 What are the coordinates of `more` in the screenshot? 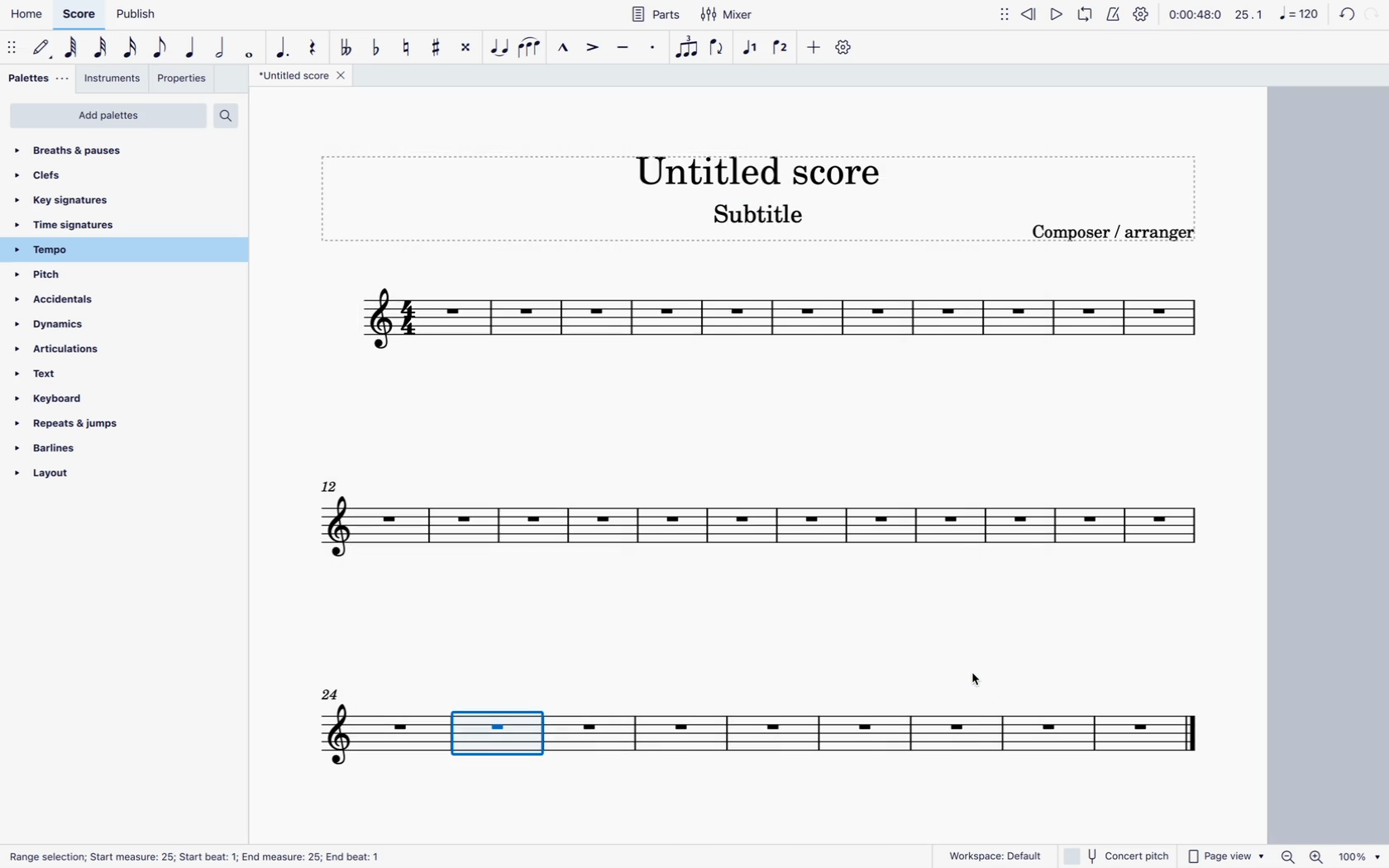 It's located at (815, 48).